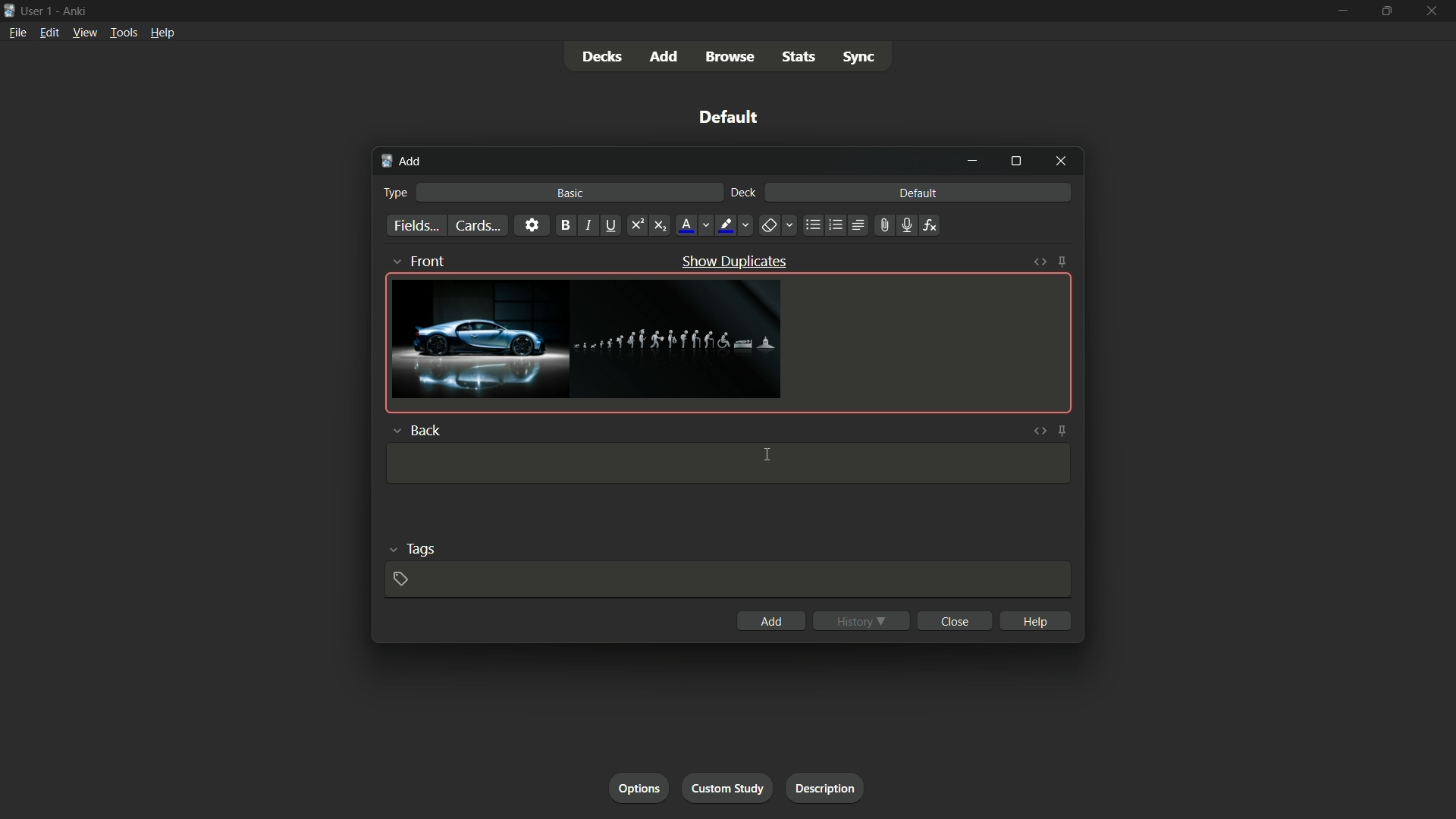 The height and width of the screenshot is (819, 1456). I want to click on minimize, so click(974, 162).